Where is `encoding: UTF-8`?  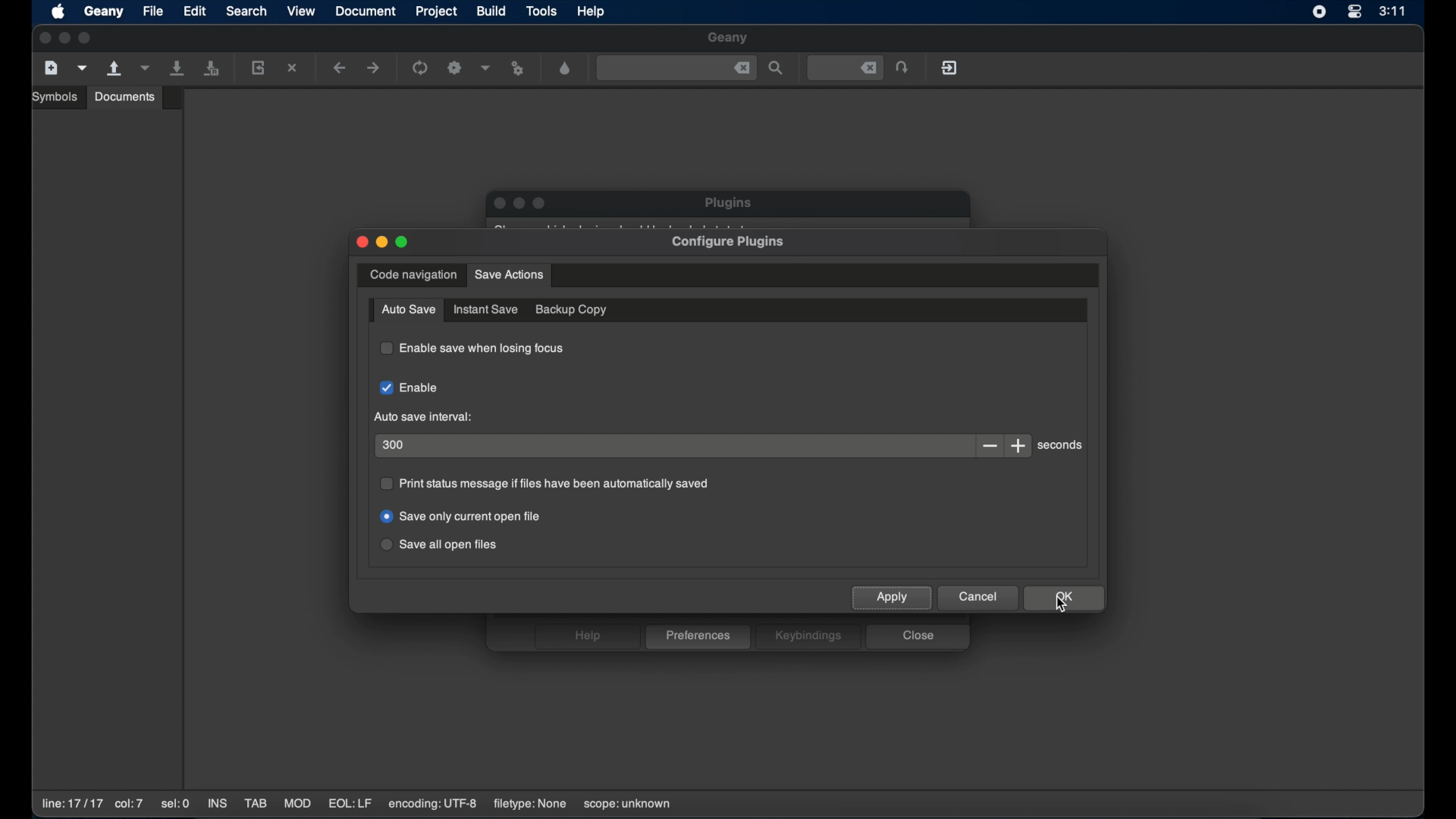 encoding: UTF-8 is located at coordinates (433, 804).